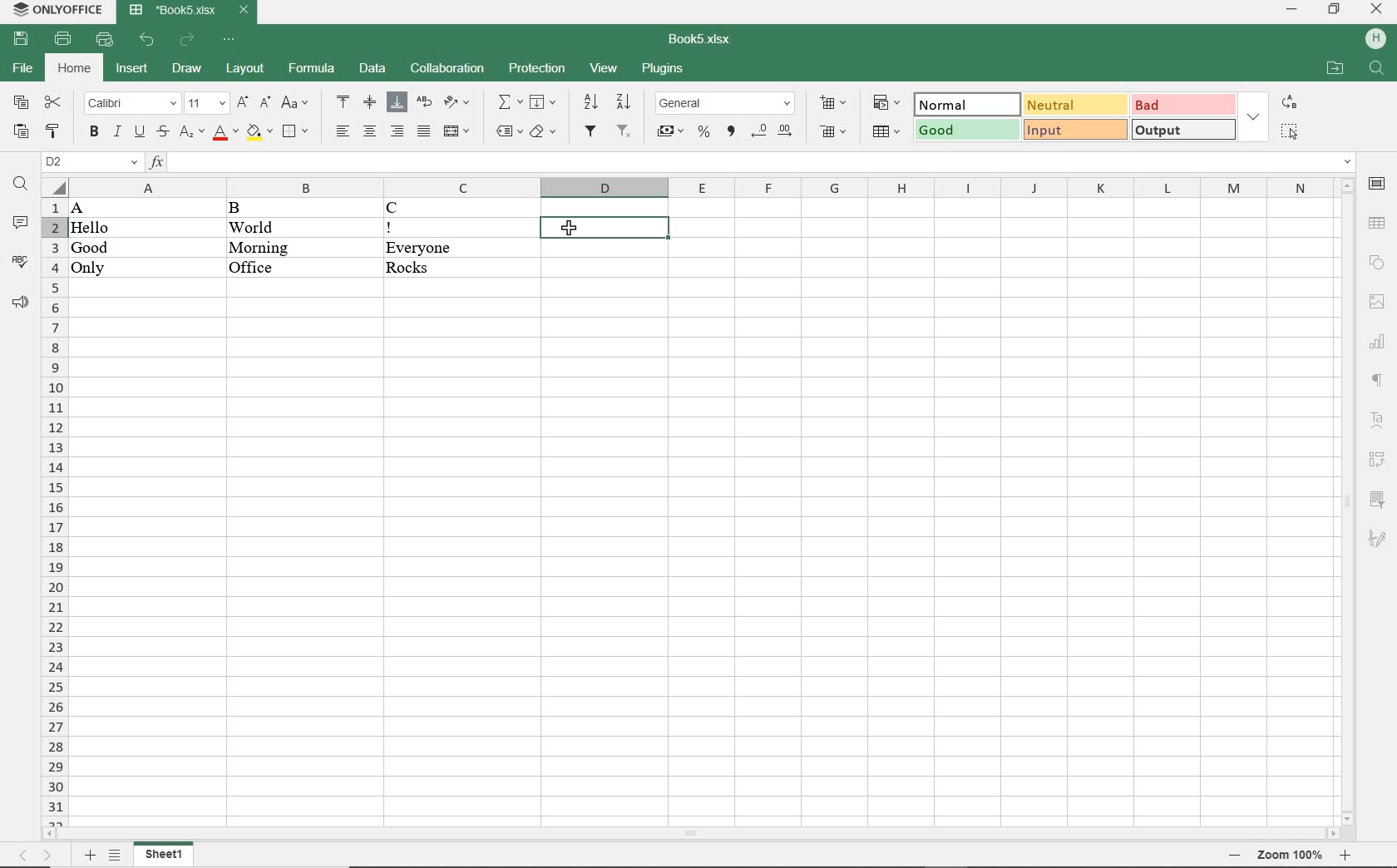 Image resolution: width=1397 pixels, height=868 pixels. What do you see at coordinates (590, 131) in the screenshot?
I see `FILTER` at bounding box center [590, 131].